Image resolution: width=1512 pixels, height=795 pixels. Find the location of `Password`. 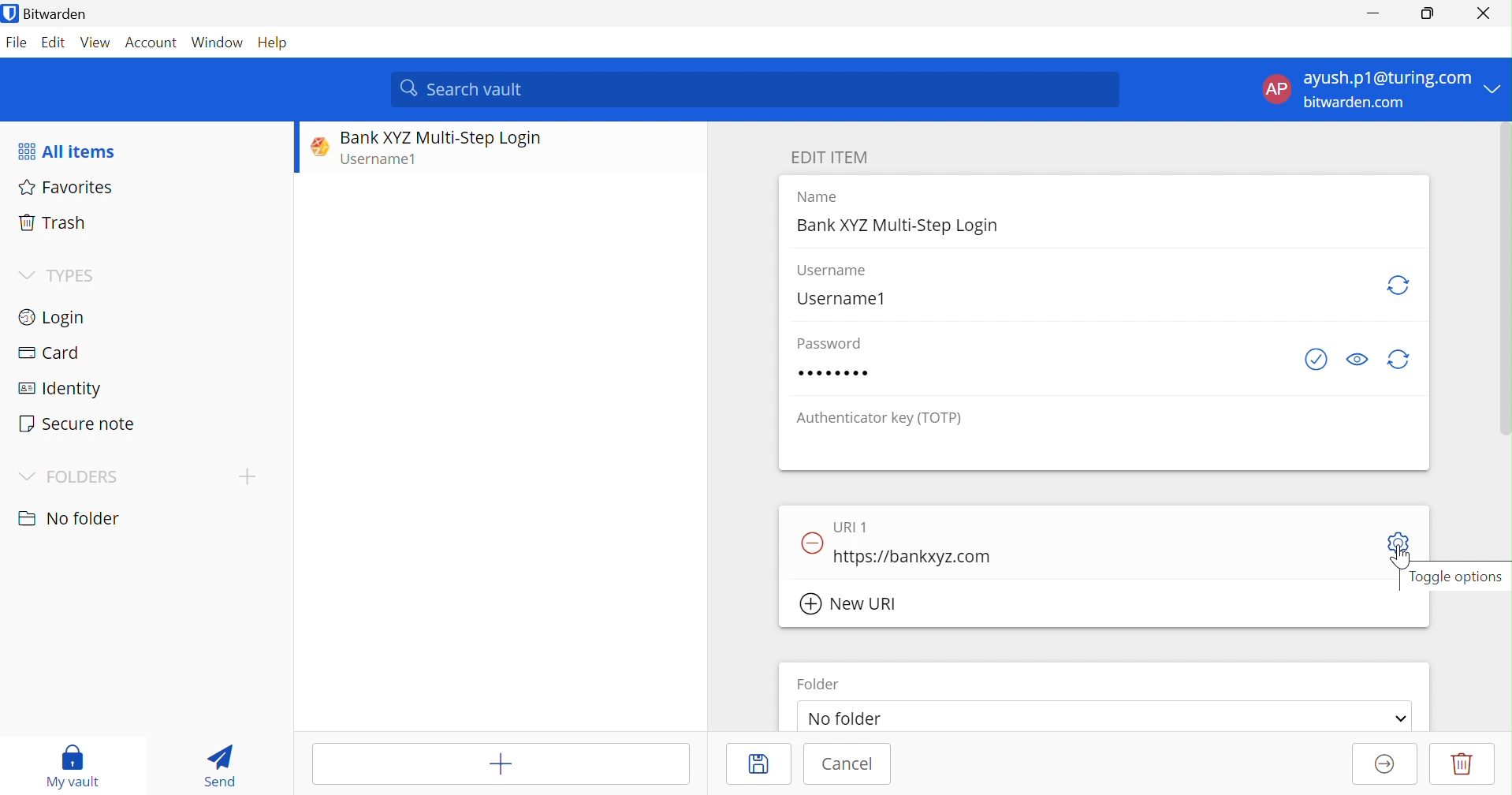

Password is located at coordinates (834, 373).